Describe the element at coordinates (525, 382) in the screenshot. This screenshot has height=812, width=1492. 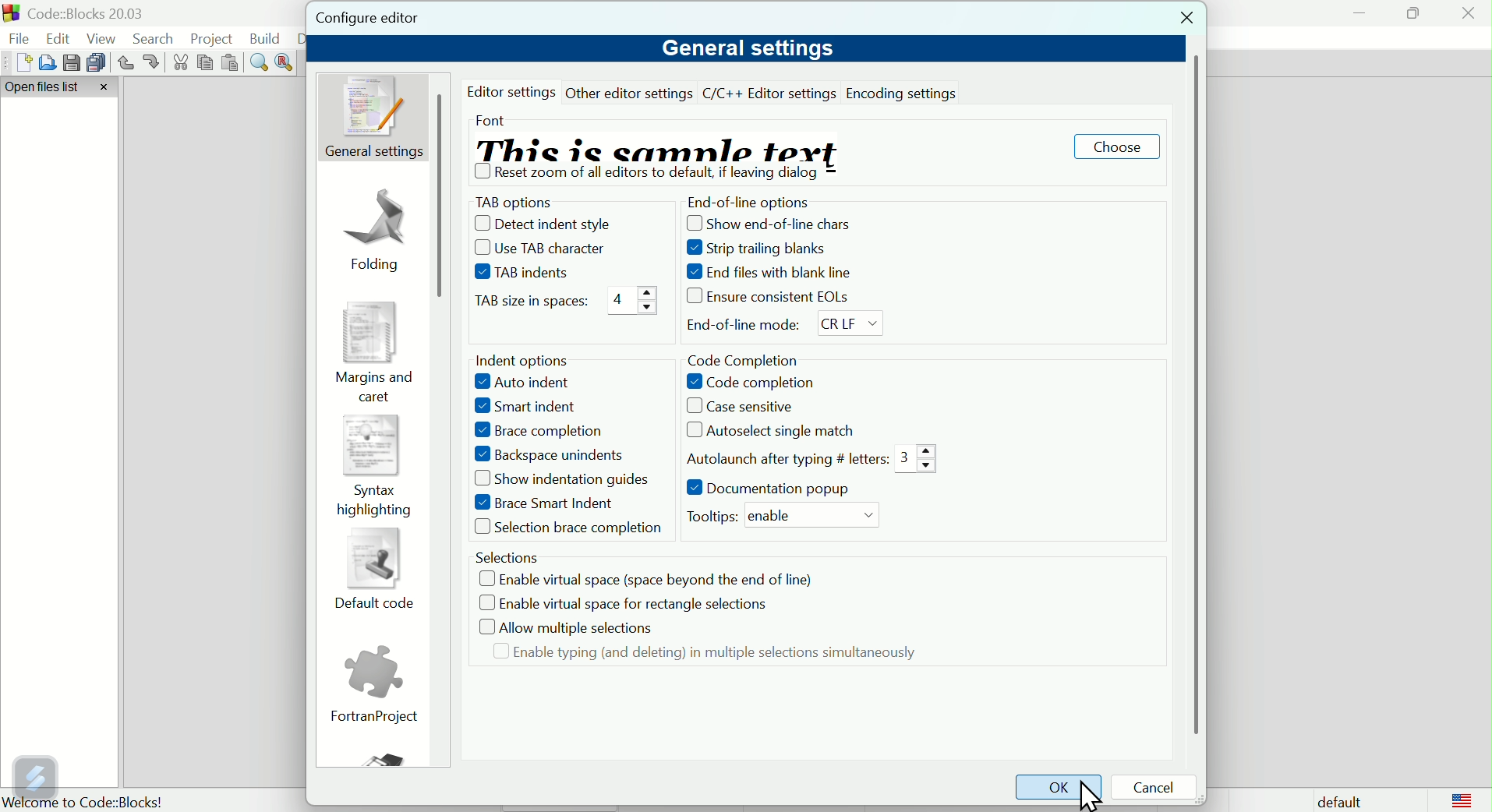
I see `Auto indent` at that location.